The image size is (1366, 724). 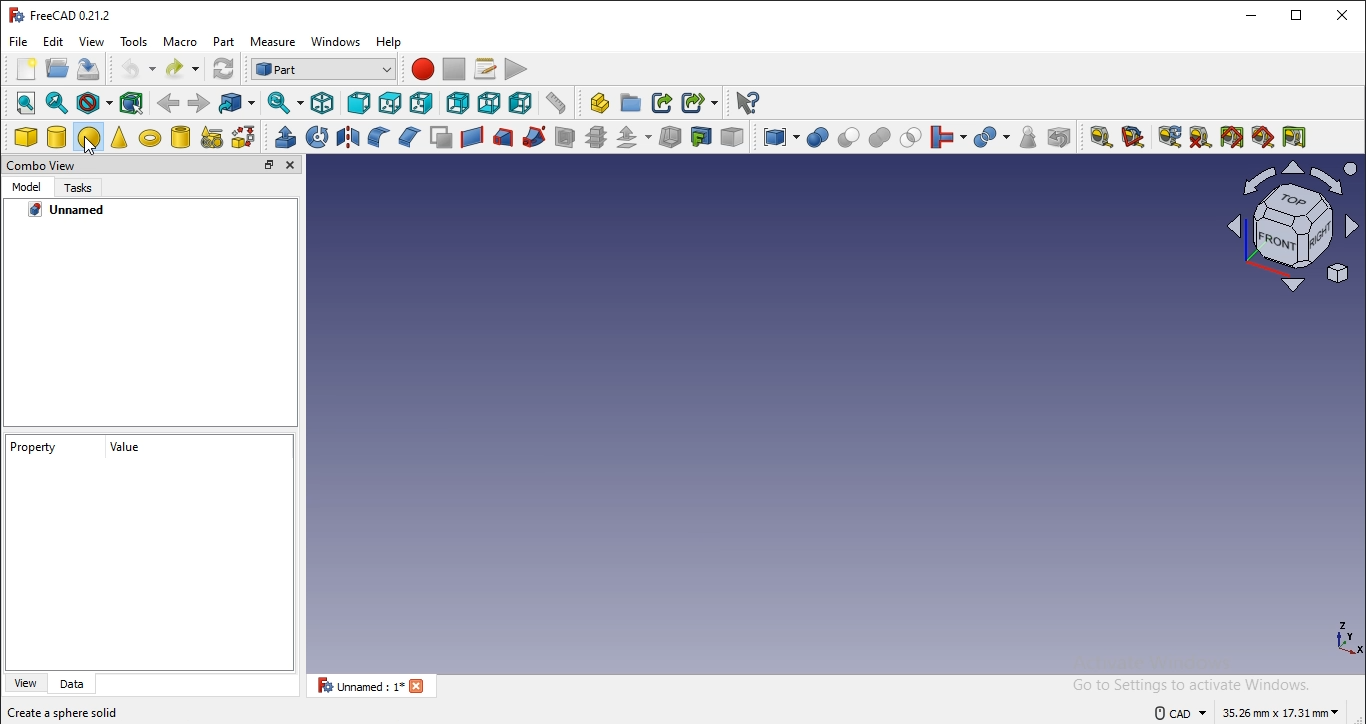 I want to click on cut, so click(x=847, y=138).